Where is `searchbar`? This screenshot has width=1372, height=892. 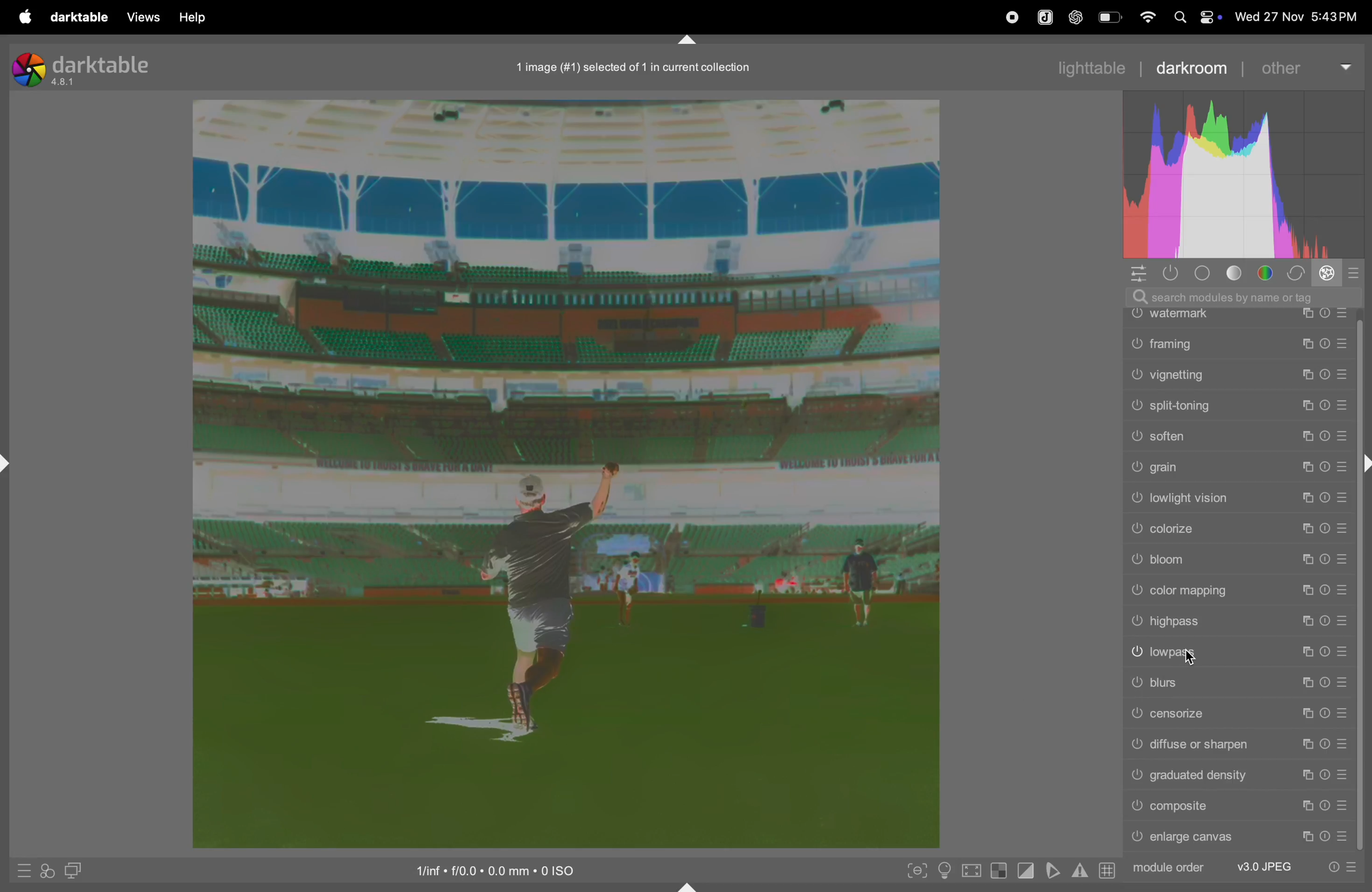 searchbar is located at coordinates (1242, 296).